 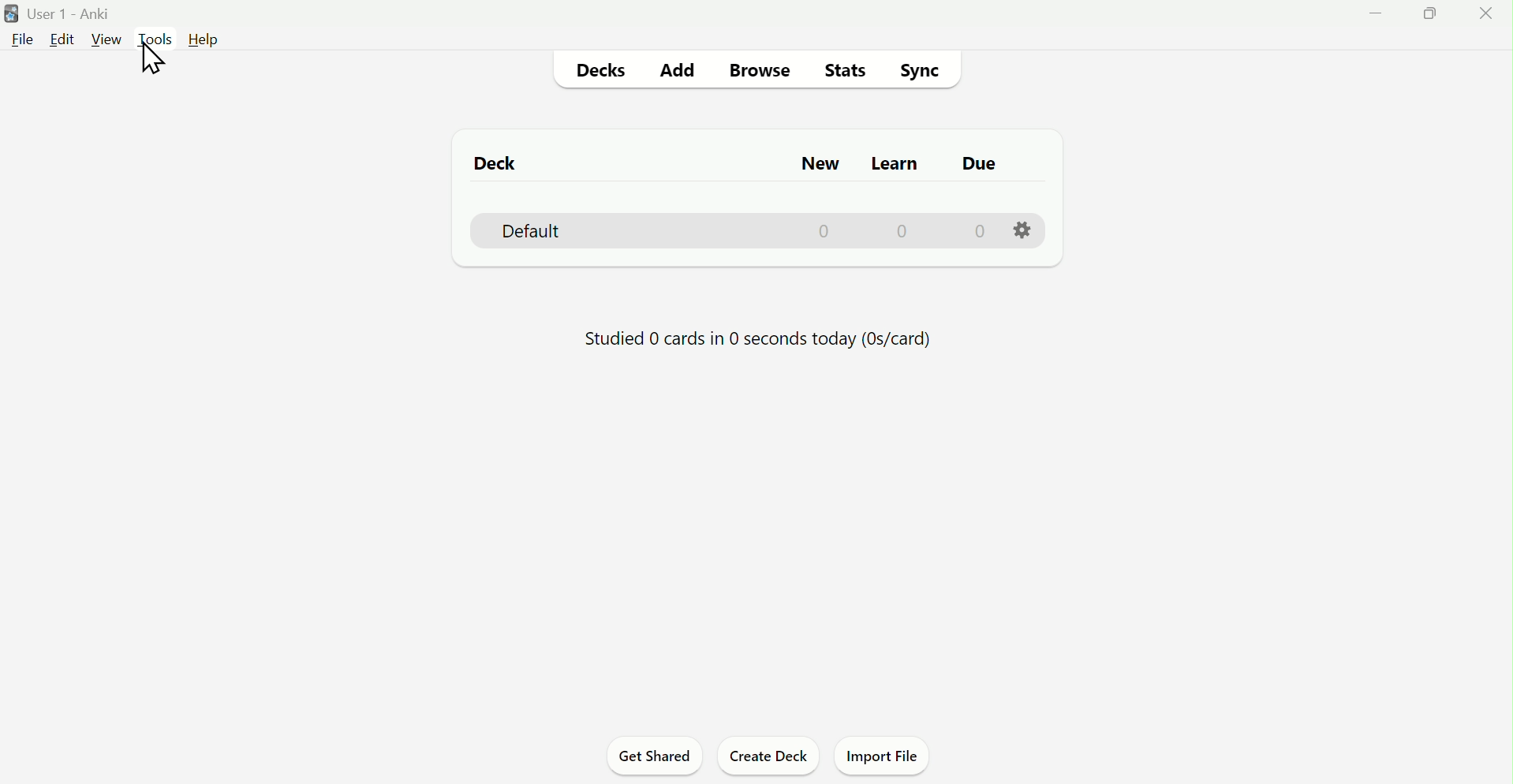 I want to click on Close, so click(x=1482, y=17).